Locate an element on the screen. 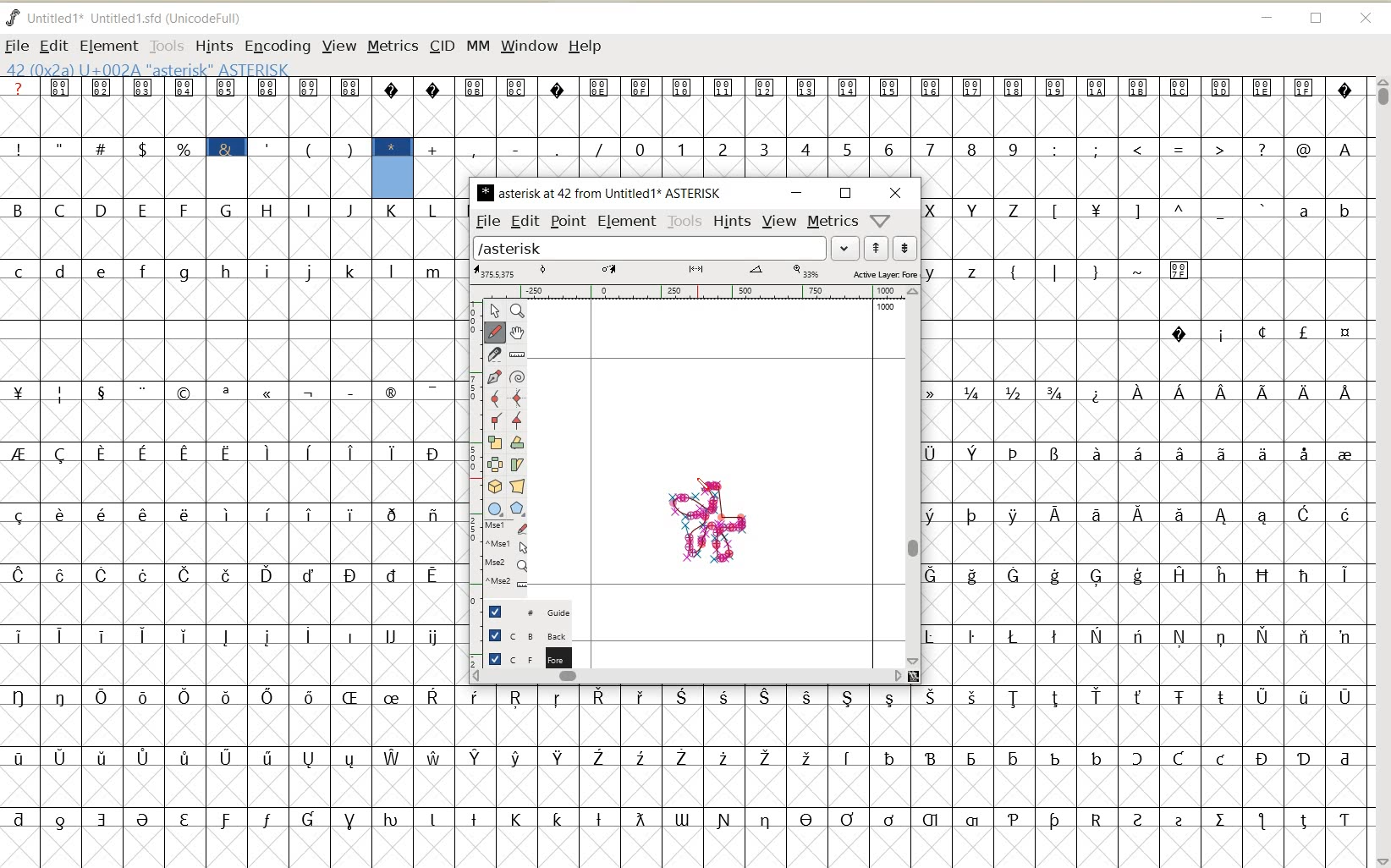  MINIMIZE is located at coordinates (798, 193).